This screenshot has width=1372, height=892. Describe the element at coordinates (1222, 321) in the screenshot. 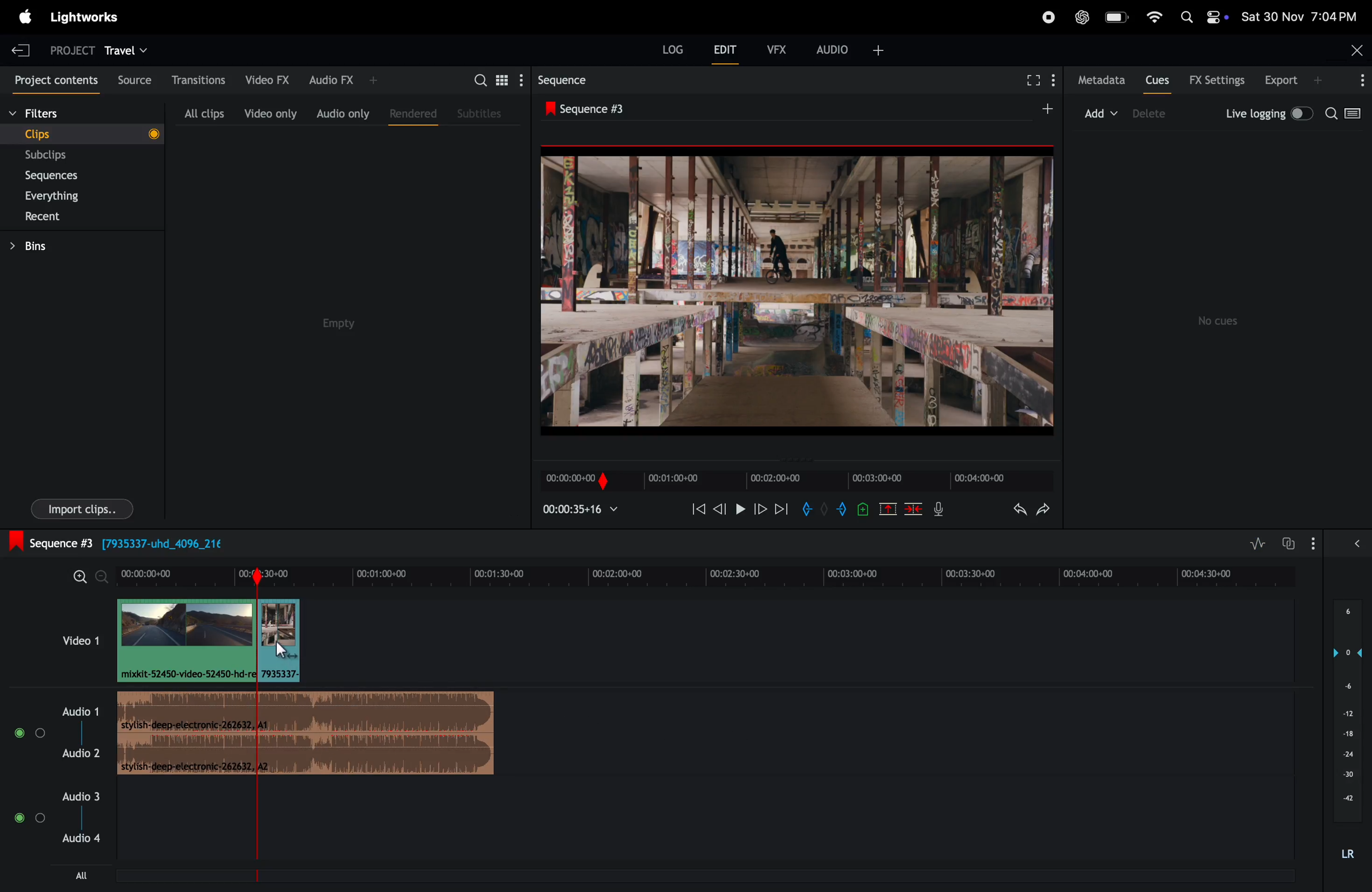

I see `no cues` at that location.